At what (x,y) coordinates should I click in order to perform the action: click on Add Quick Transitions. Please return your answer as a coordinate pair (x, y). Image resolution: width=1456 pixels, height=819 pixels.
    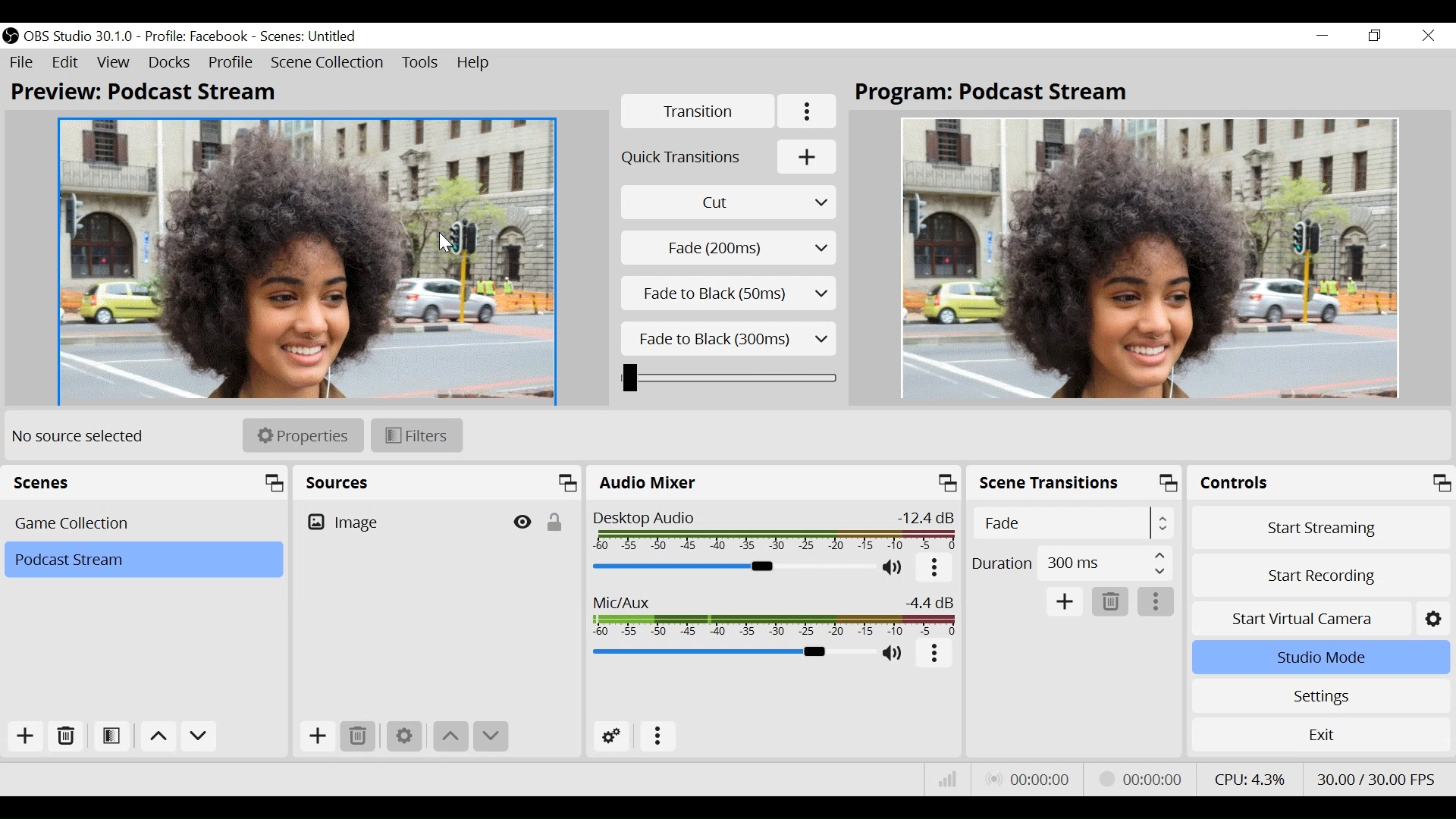
    Looking at the image, I should click on (731, 156).